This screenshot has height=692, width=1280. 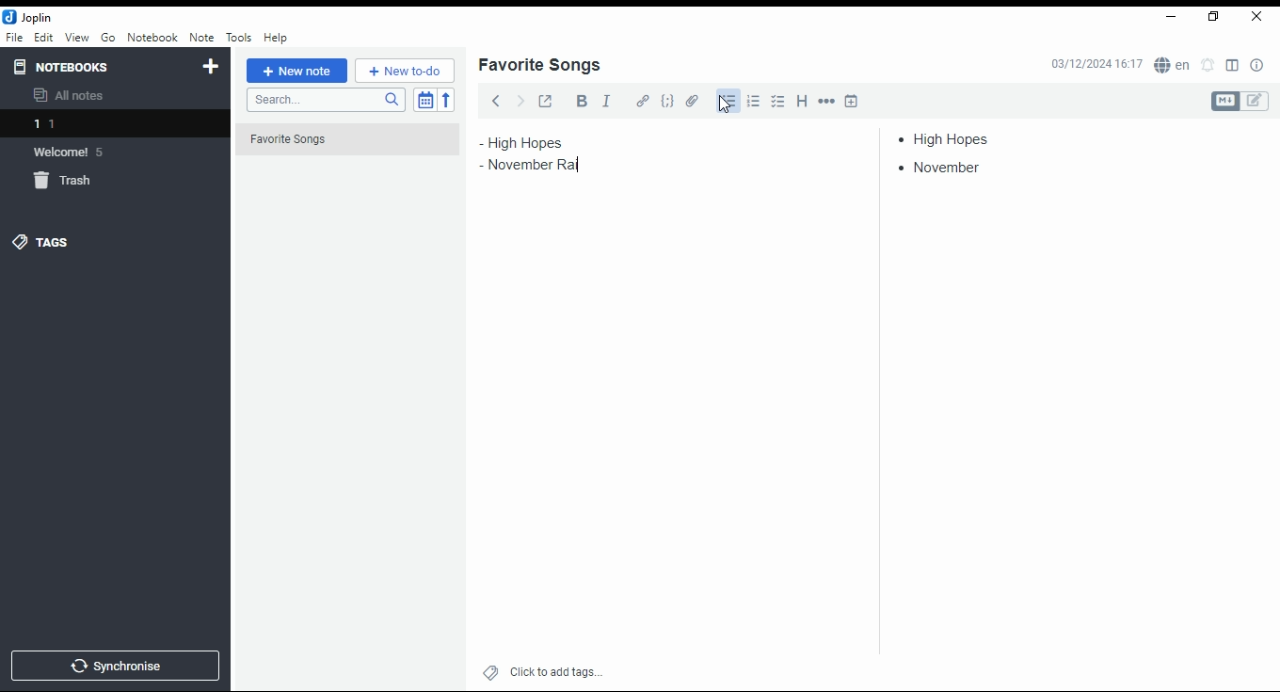 What do you see at coordinates (337, 140) in the screenshot?
I see `Favorite Songs` at bounding box center [337, 140].